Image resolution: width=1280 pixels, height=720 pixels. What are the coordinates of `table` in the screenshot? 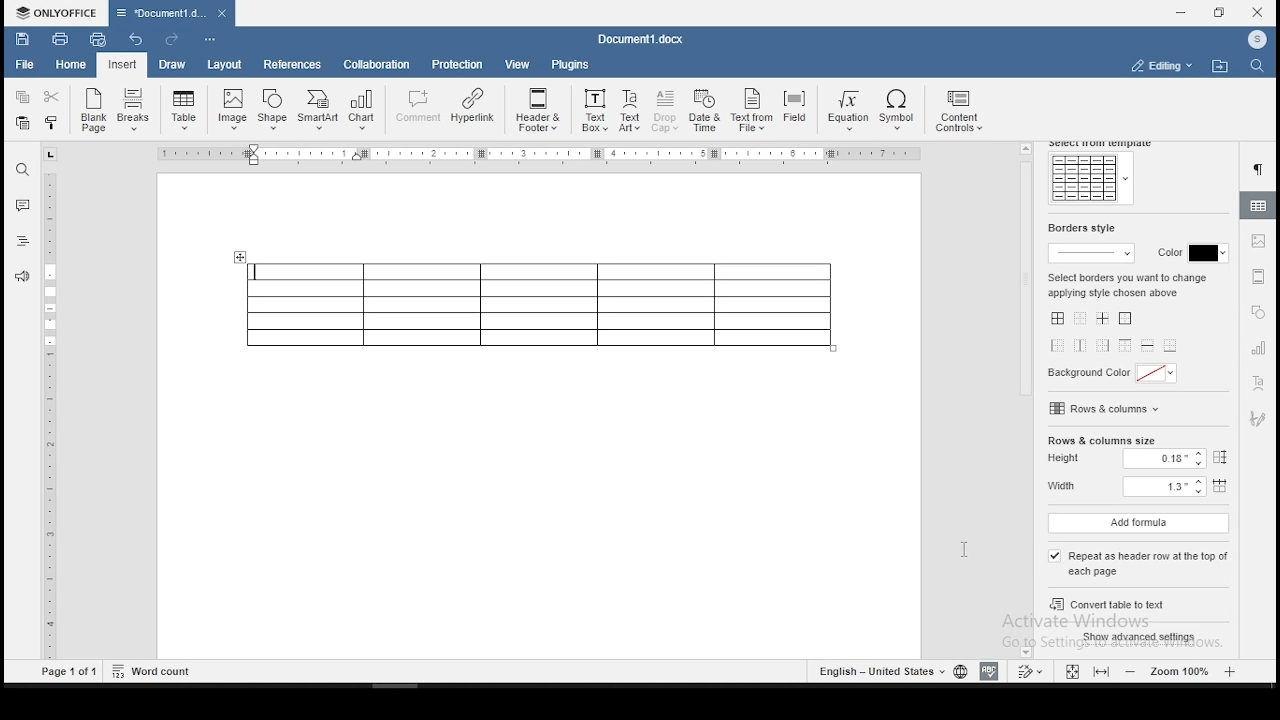 It's located at (539, 305).